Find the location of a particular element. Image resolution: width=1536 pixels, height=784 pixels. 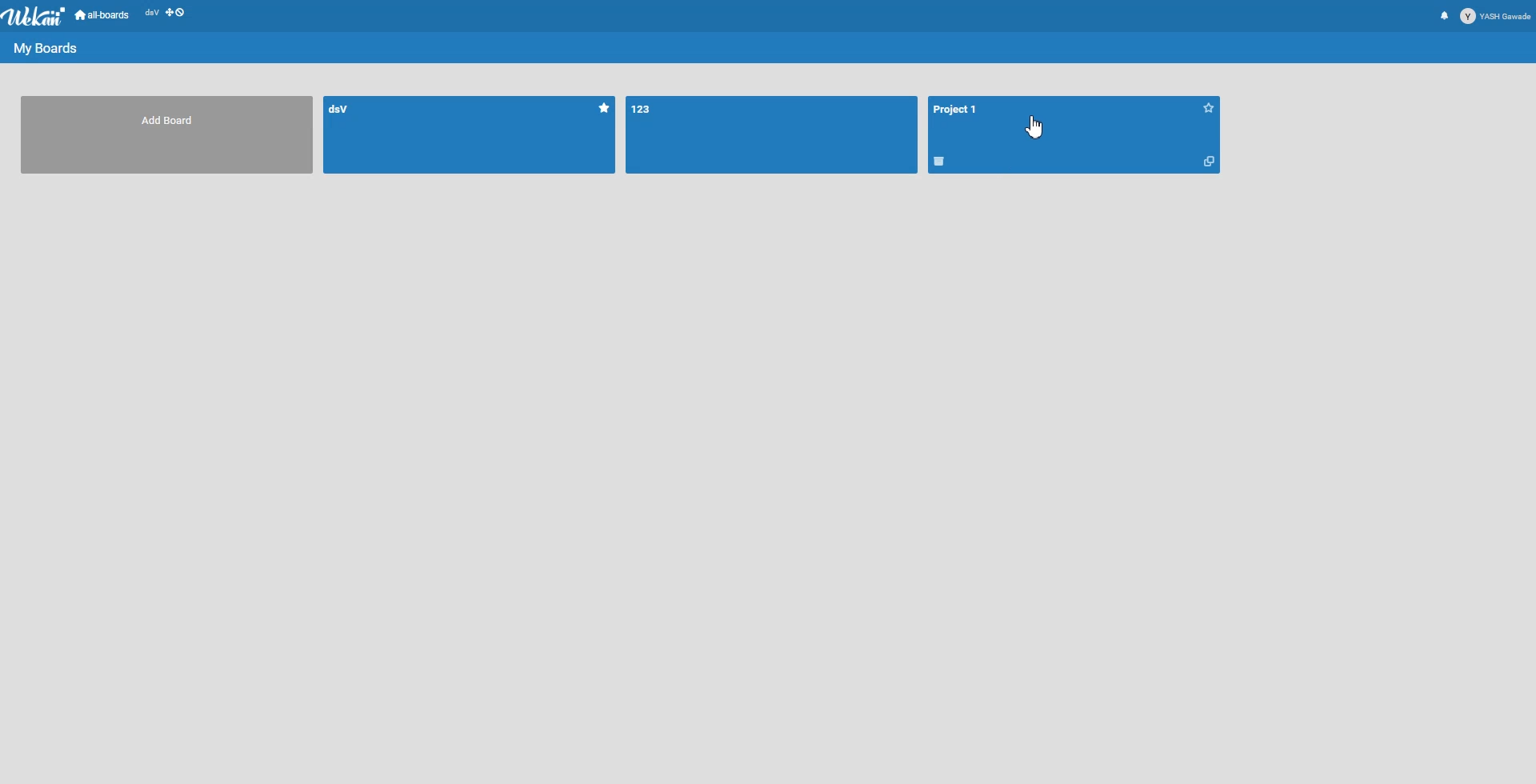

Text is located at coordinates (45, 46).